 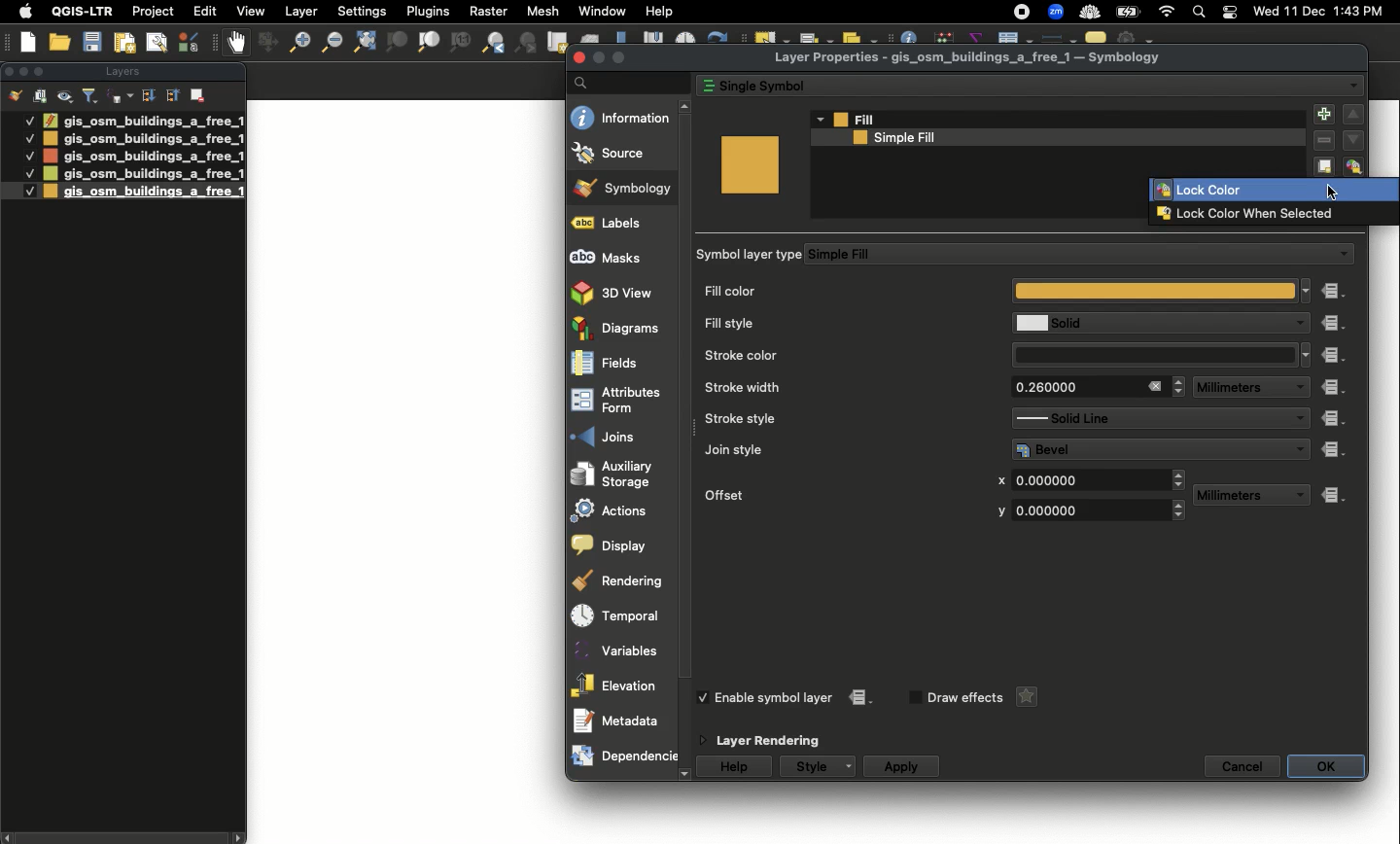 What do you see at coordinates (430, 42) in the screenshot?
I see `Zoom to layer` at bounding box center [430, 42].